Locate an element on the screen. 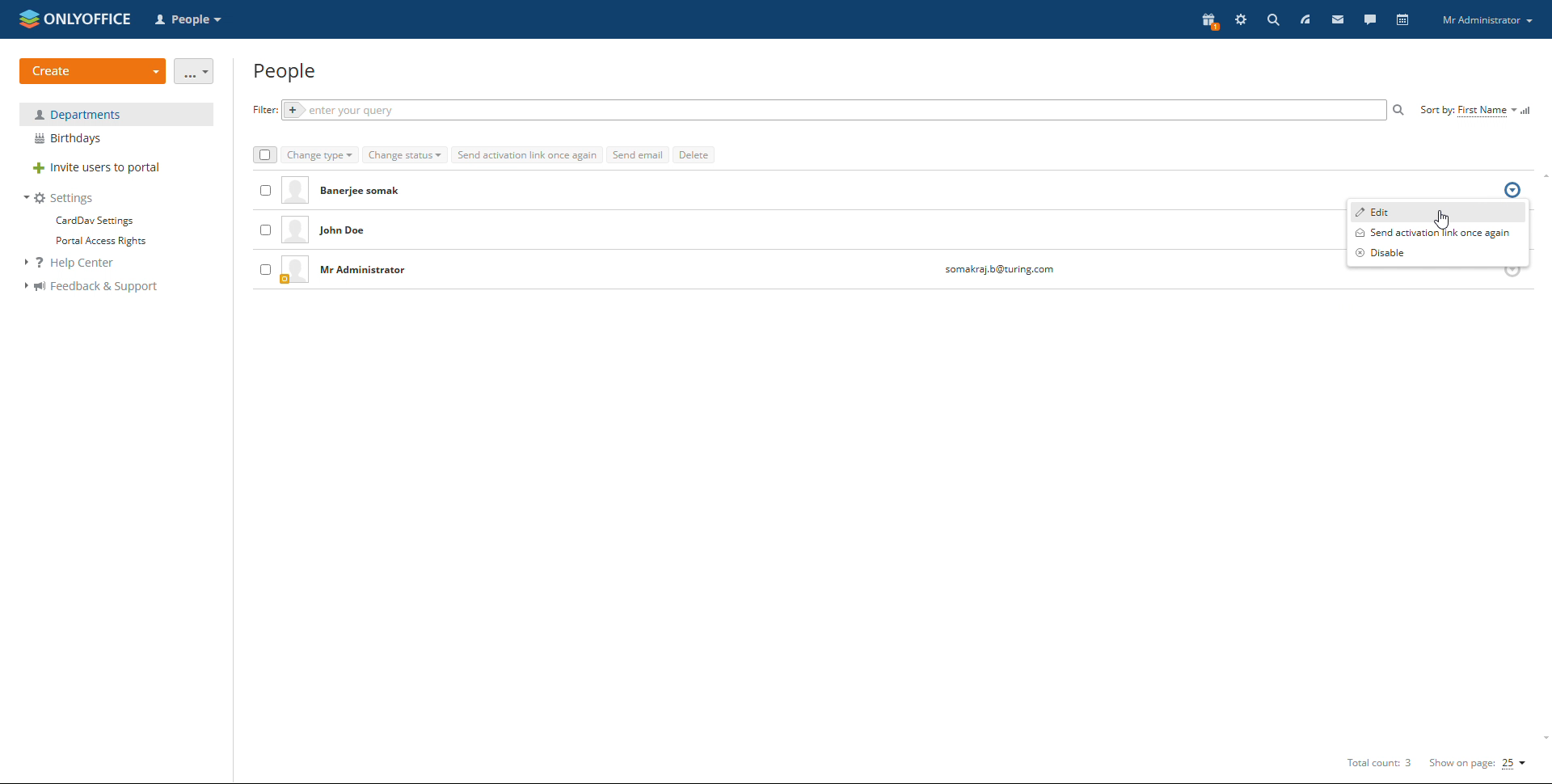  profile picture is located at coordinates (293, 192).